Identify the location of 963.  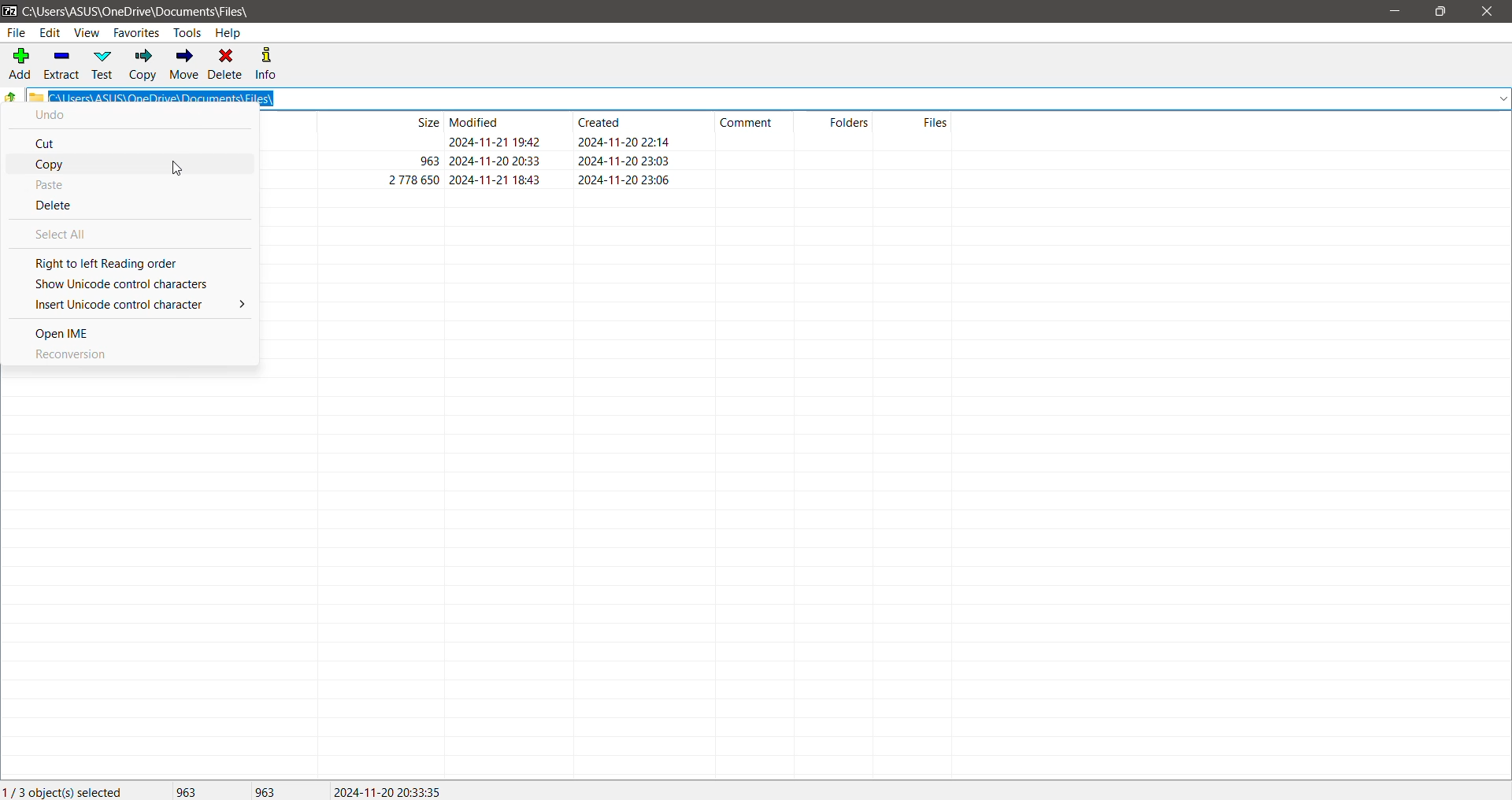
(429, 161).